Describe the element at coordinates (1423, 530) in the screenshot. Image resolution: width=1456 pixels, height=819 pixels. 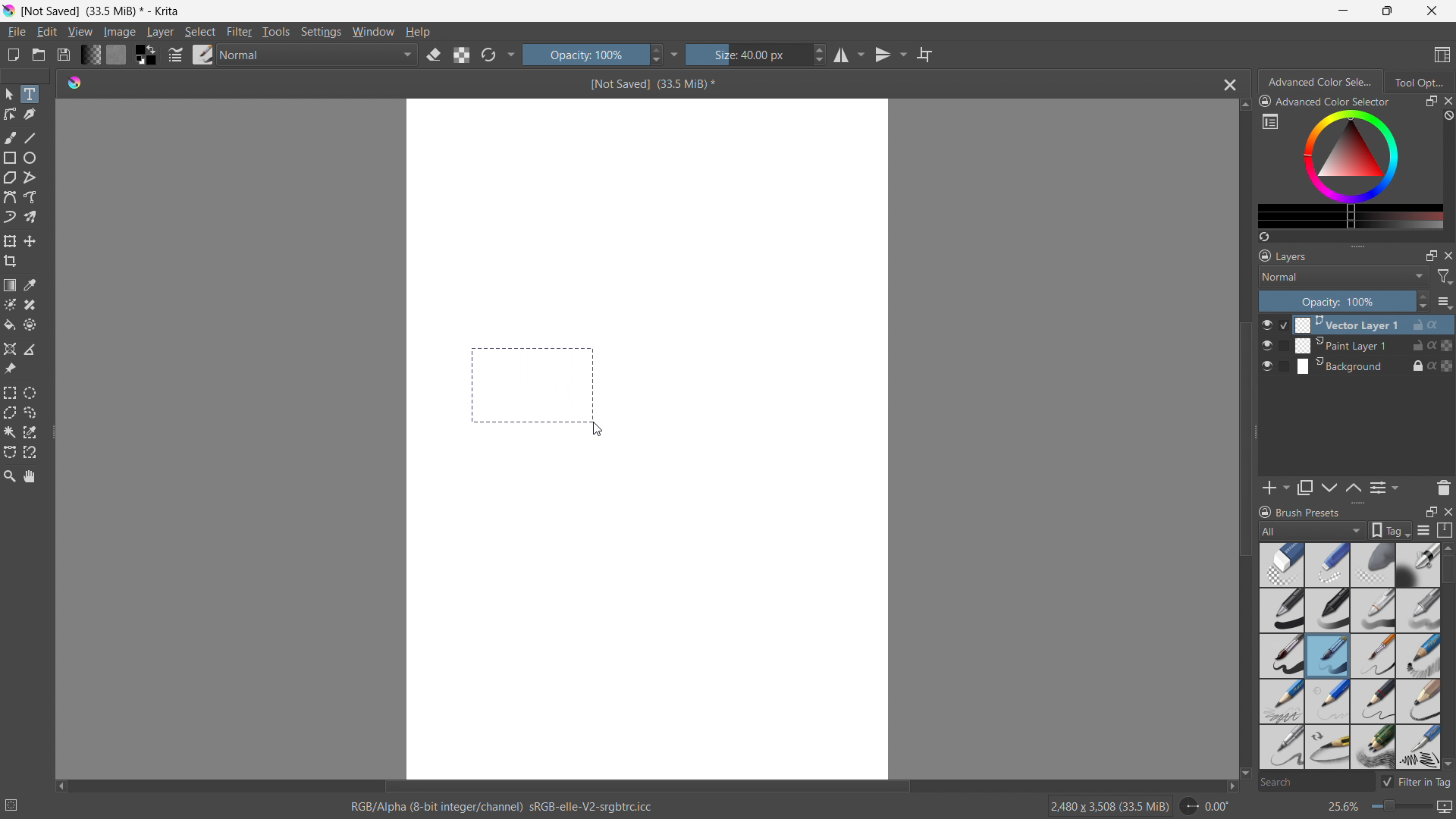
I see `display settings` at that location.